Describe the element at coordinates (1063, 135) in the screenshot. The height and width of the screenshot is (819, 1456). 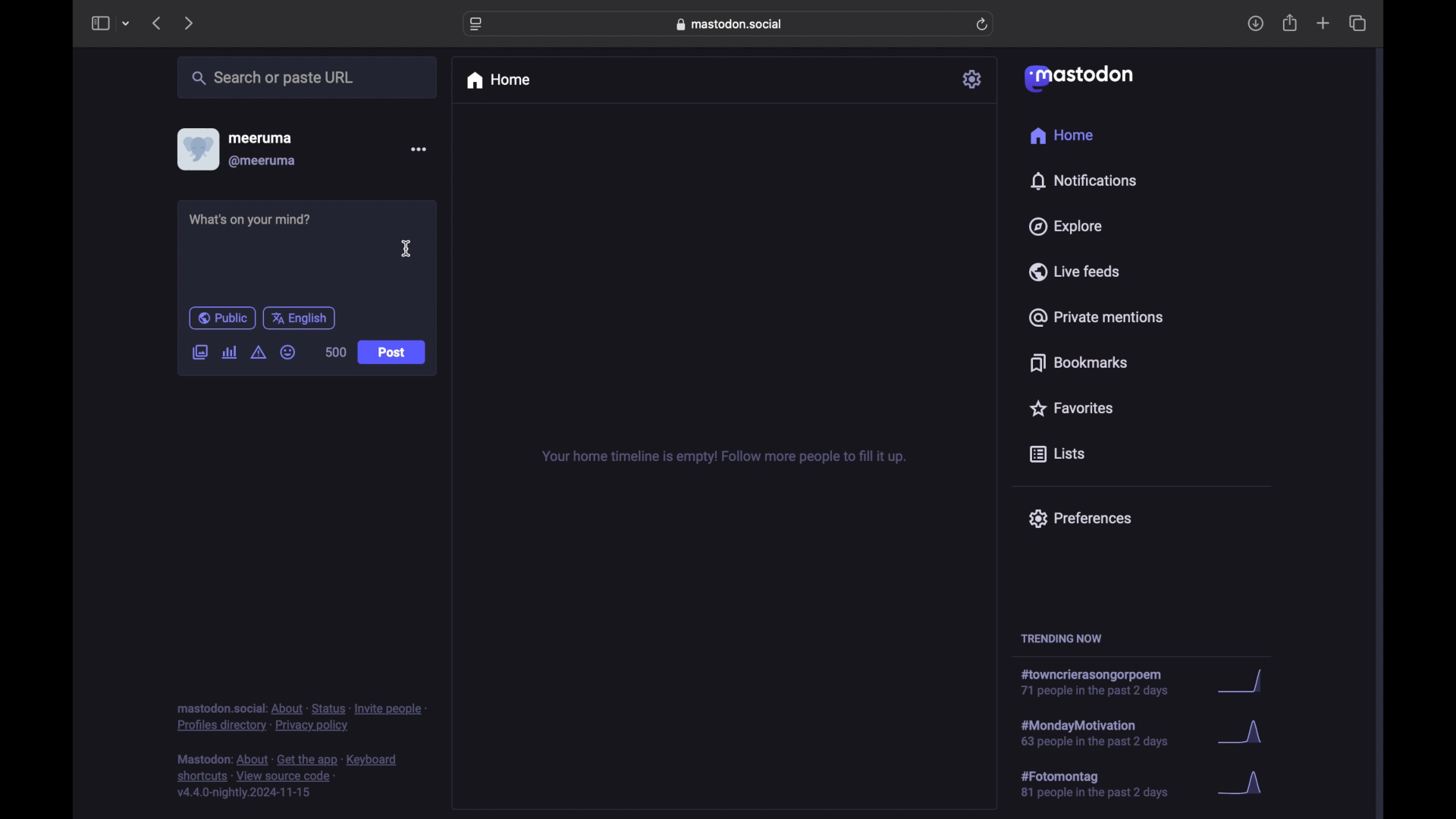
I see `home` at that location.